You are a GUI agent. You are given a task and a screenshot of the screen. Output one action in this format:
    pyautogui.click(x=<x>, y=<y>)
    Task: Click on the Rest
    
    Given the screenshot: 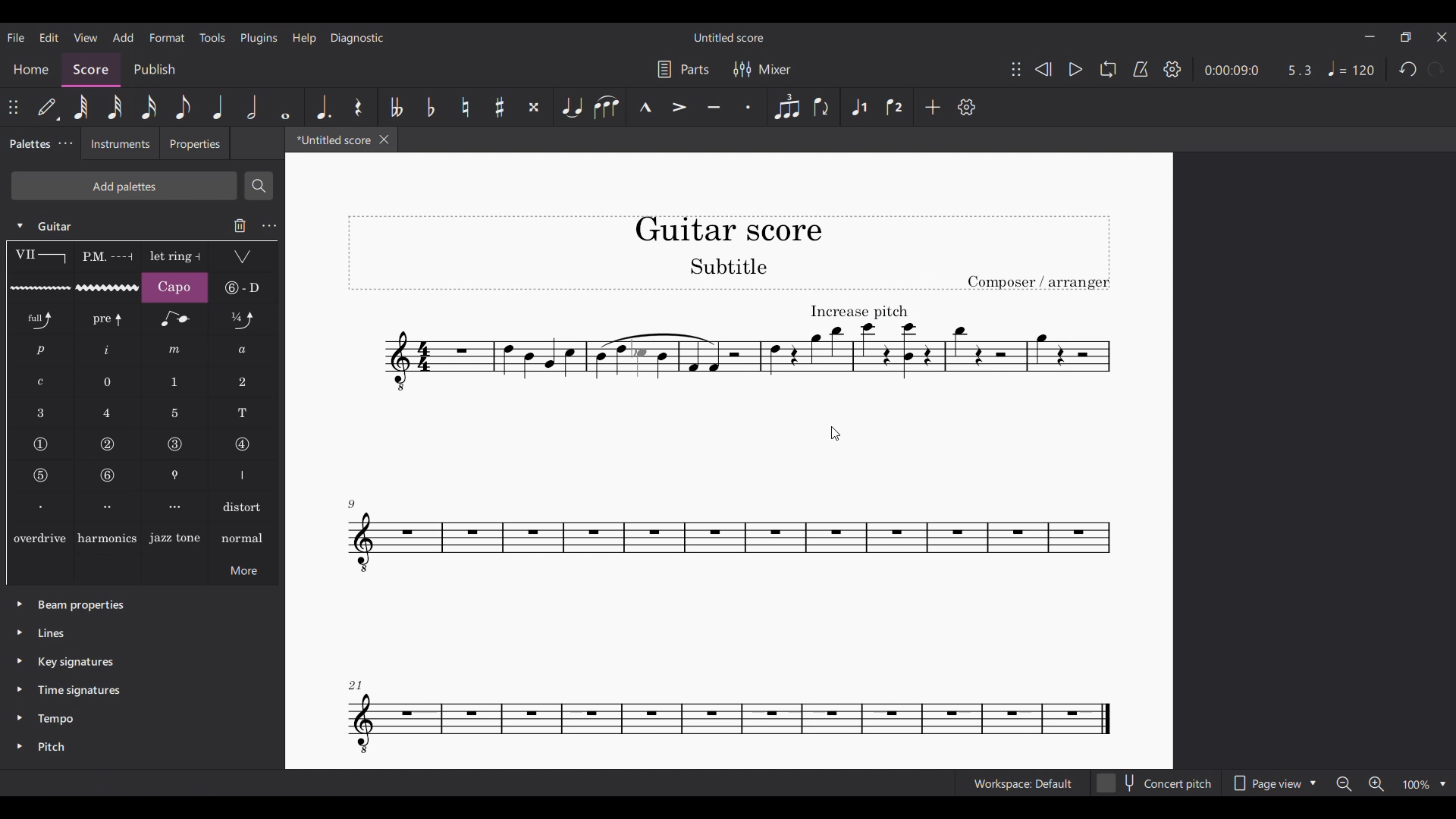 What is the action you would take?
    pyautogui.click(x=359, y=107)
    